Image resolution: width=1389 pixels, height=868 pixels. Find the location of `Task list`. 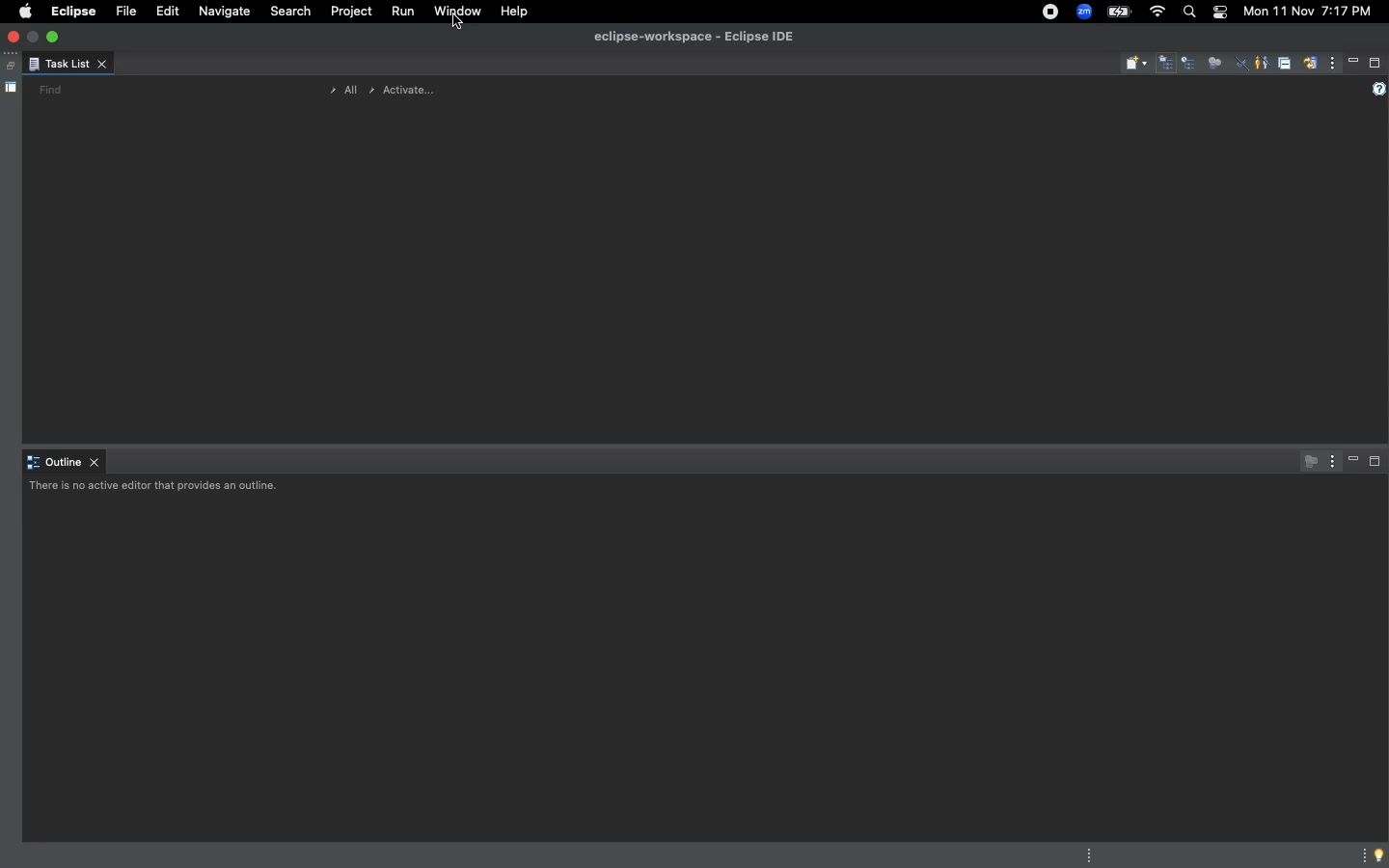

Task list is located at coordinates (68, 66).